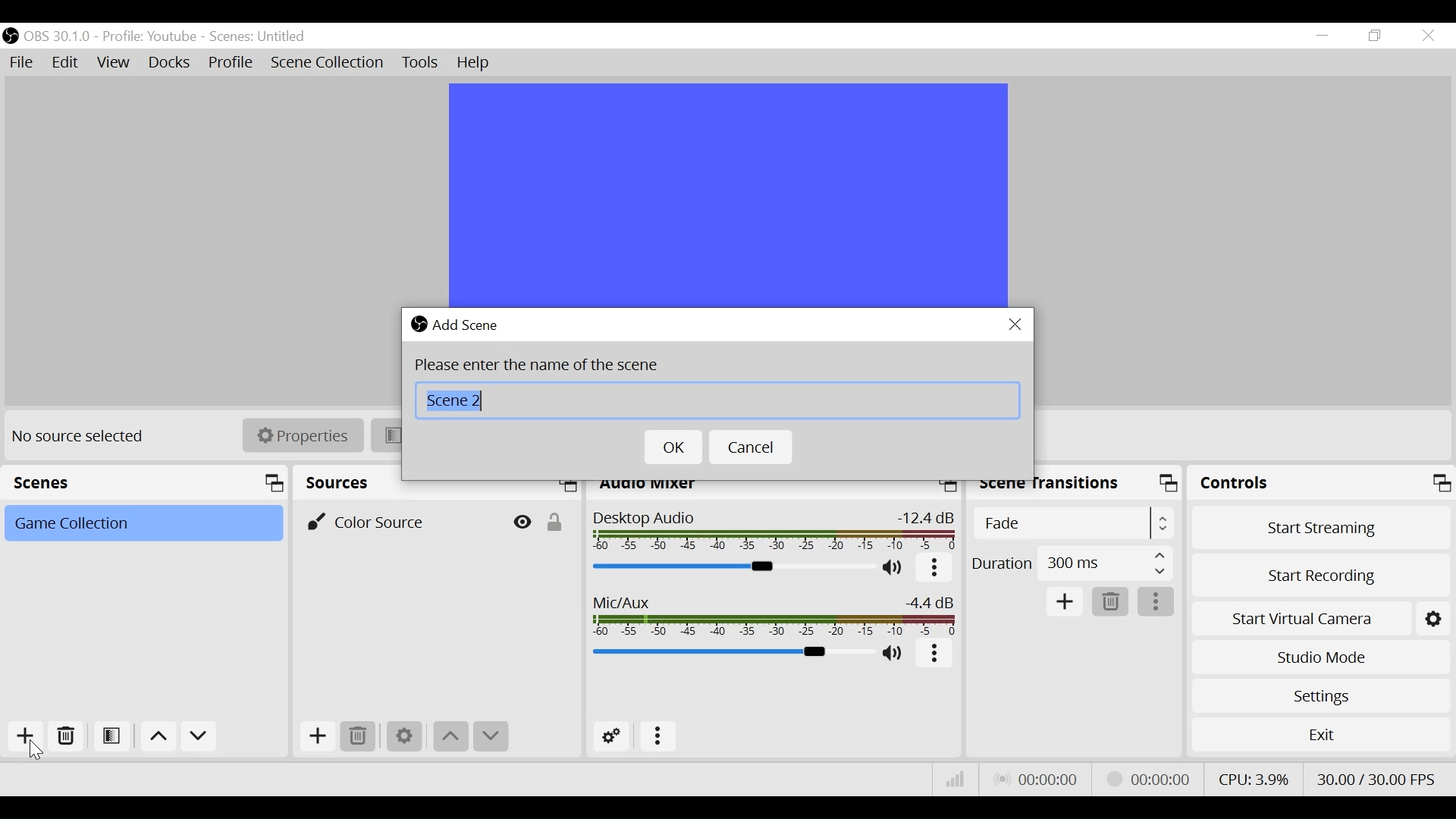 Image resolution: width=1456 pixels, height=819 pixels. What do you see at coordinates (1320, 695) in the screenshot?
I see `Settings` at bounding box center [1320, 695].